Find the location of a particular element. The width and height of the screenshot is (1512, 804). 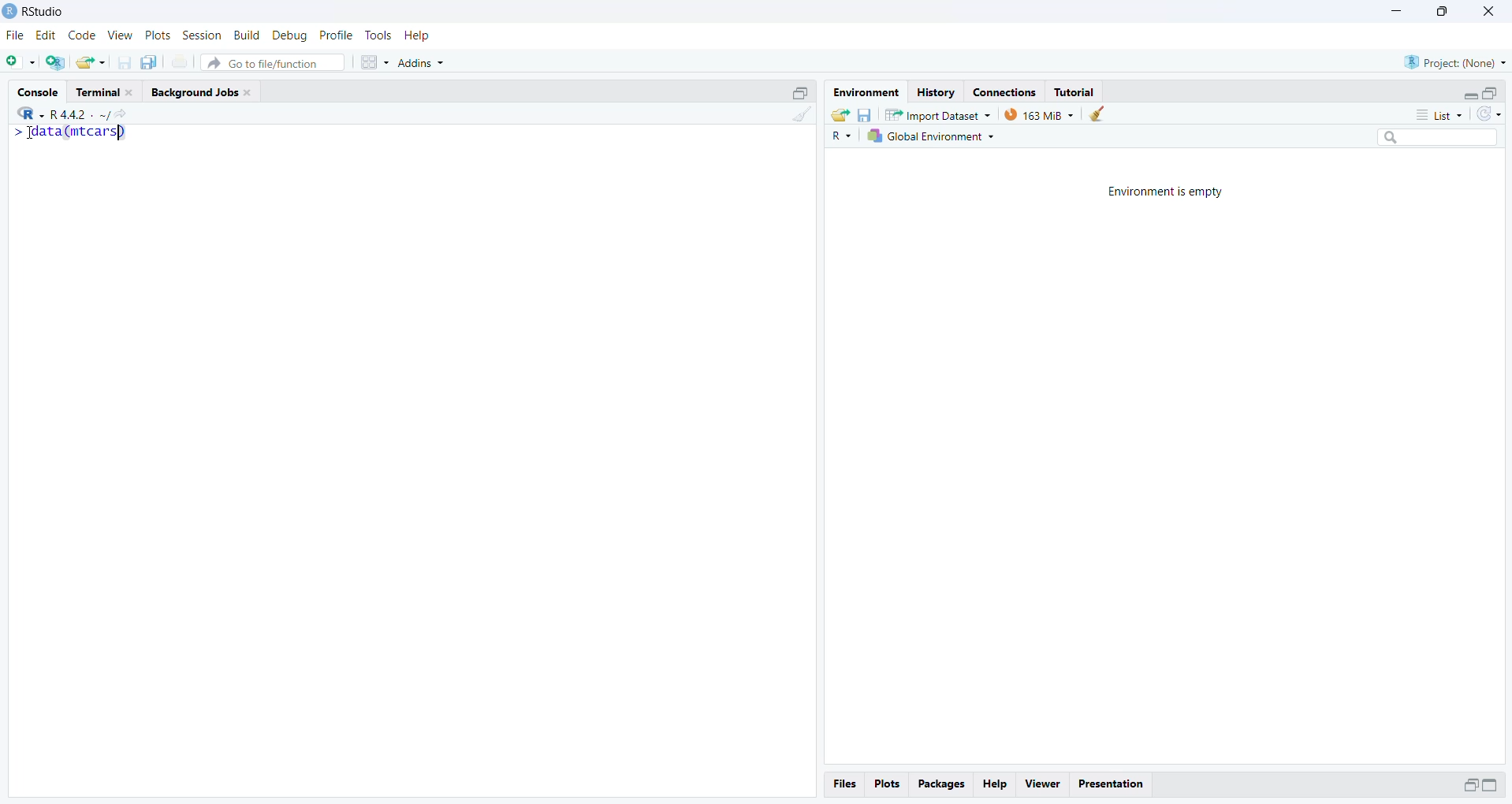

copy is located at coordinates (150, 62).